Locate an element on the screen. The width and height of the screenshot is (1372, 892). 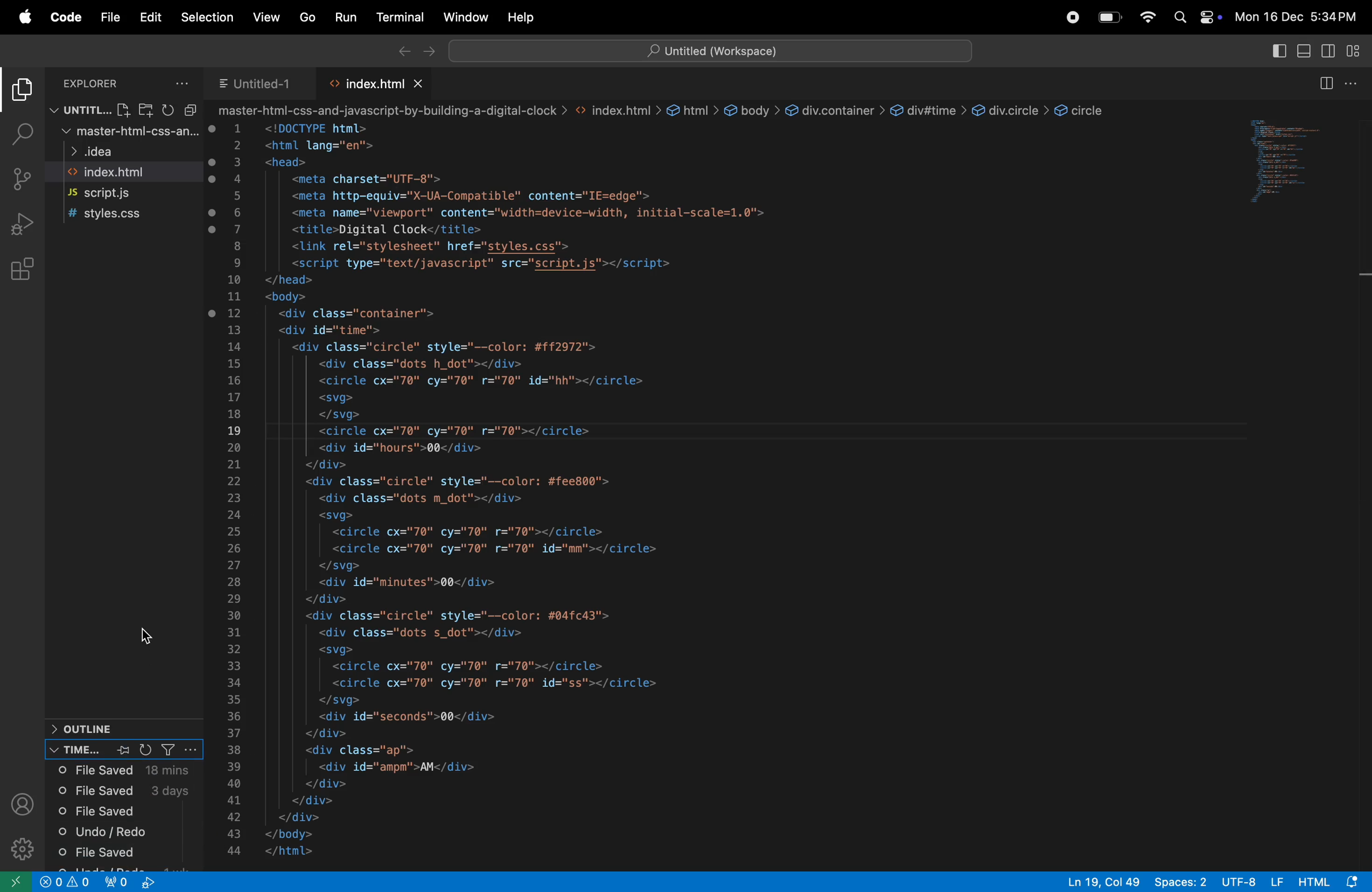
index.html is located at coordinates (380, 83).